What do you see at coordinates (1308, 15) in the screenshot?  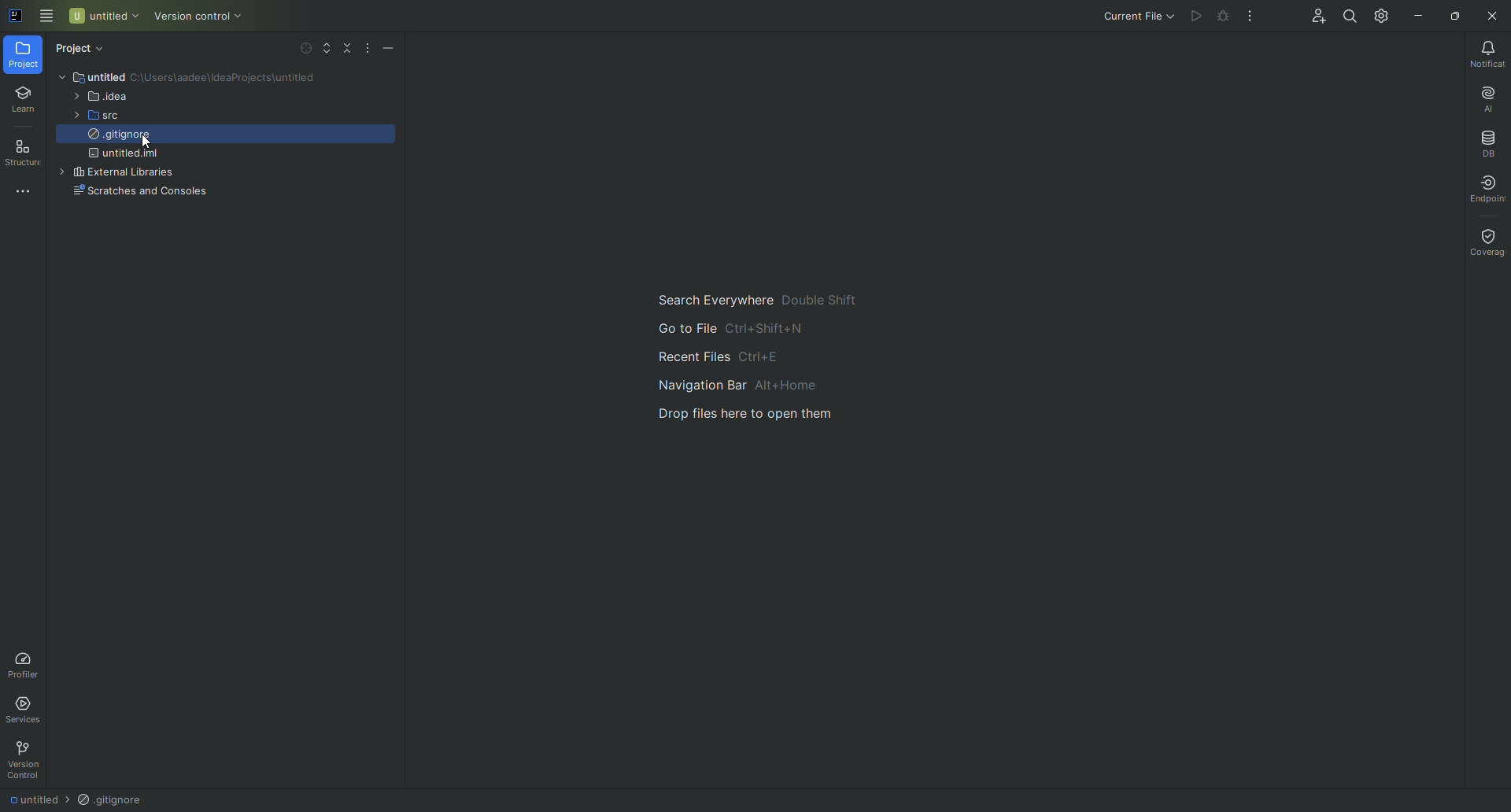 I see `Code With Me` at bounding box center [1308, 15].